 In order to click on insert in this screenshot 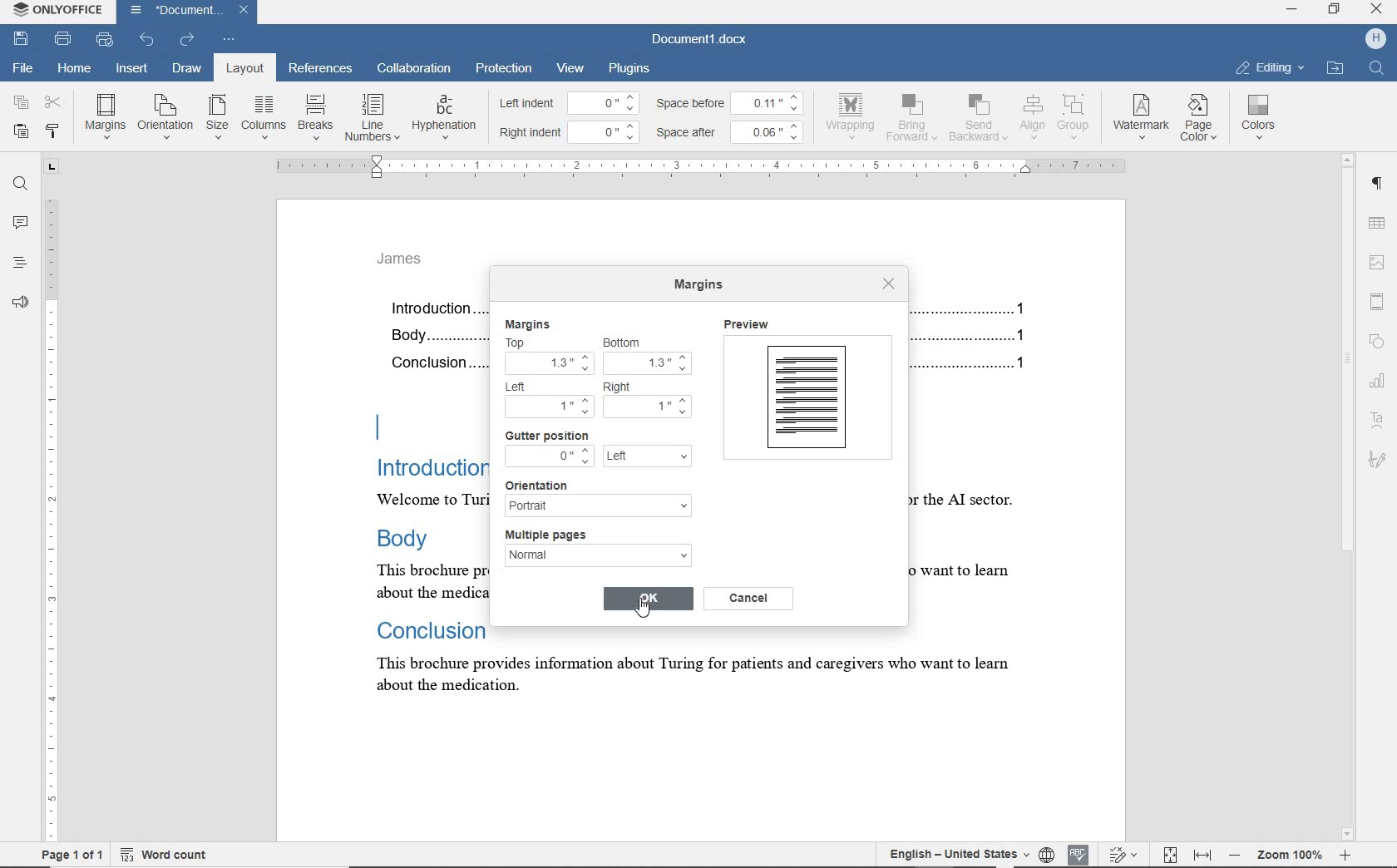, I will do `click(134, 69)`.